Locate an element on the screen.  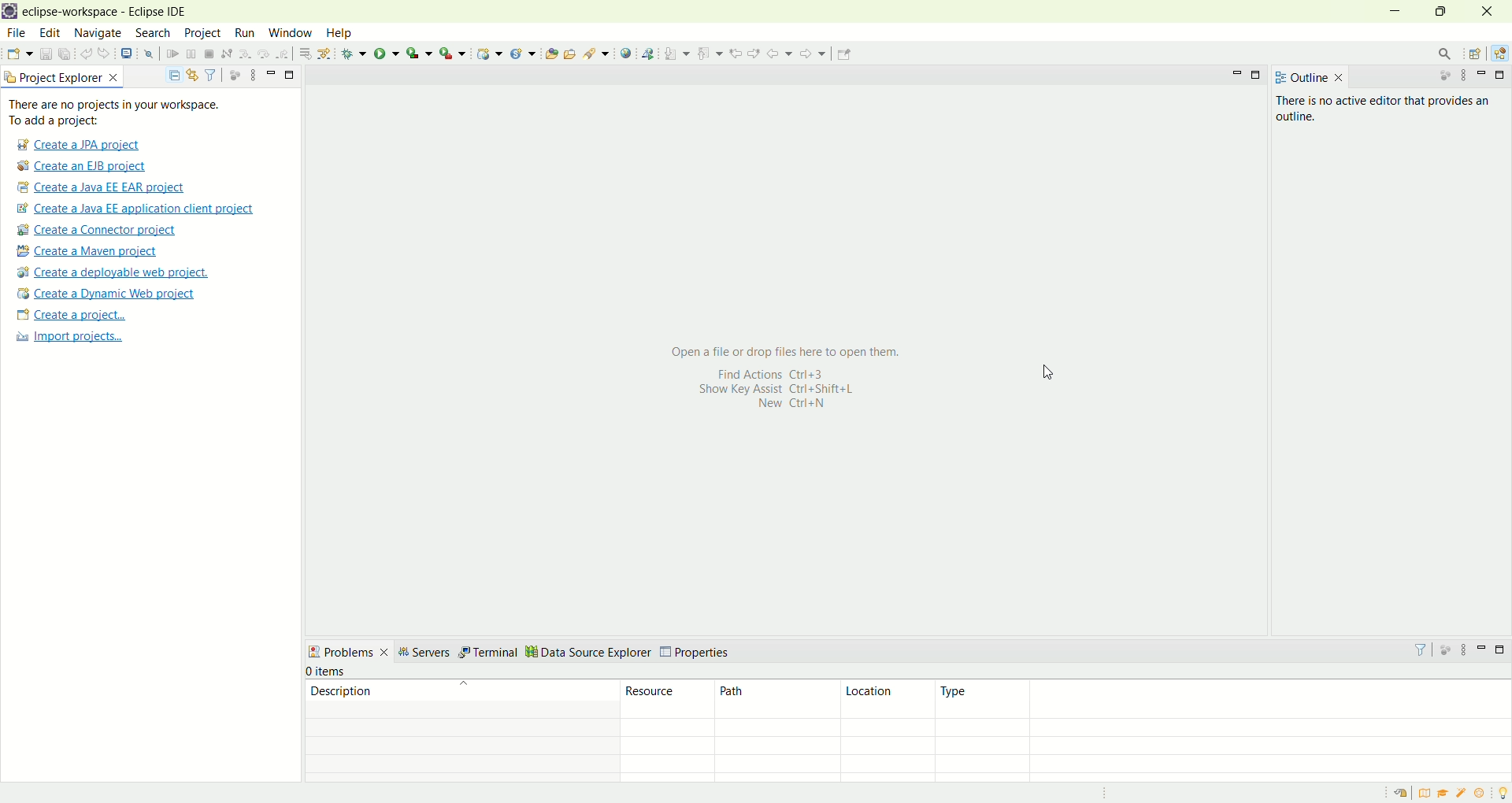
eclipse-workspace-Eclipse IDE is located at coordinates (102, 11).